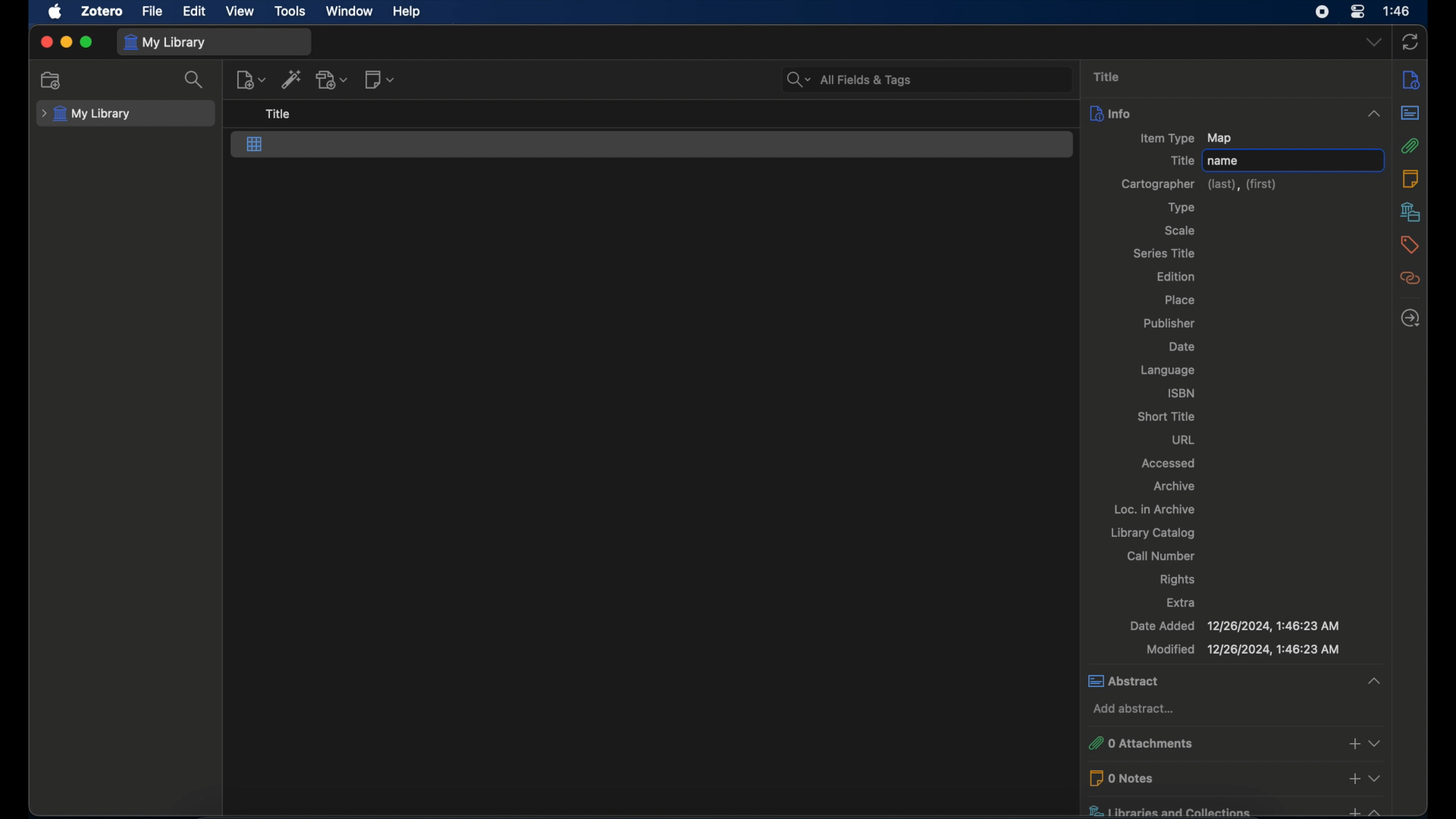 The width and height of the screenshot is (1456, 819). I want to click on Collapse or expand , so click(1376, 777).